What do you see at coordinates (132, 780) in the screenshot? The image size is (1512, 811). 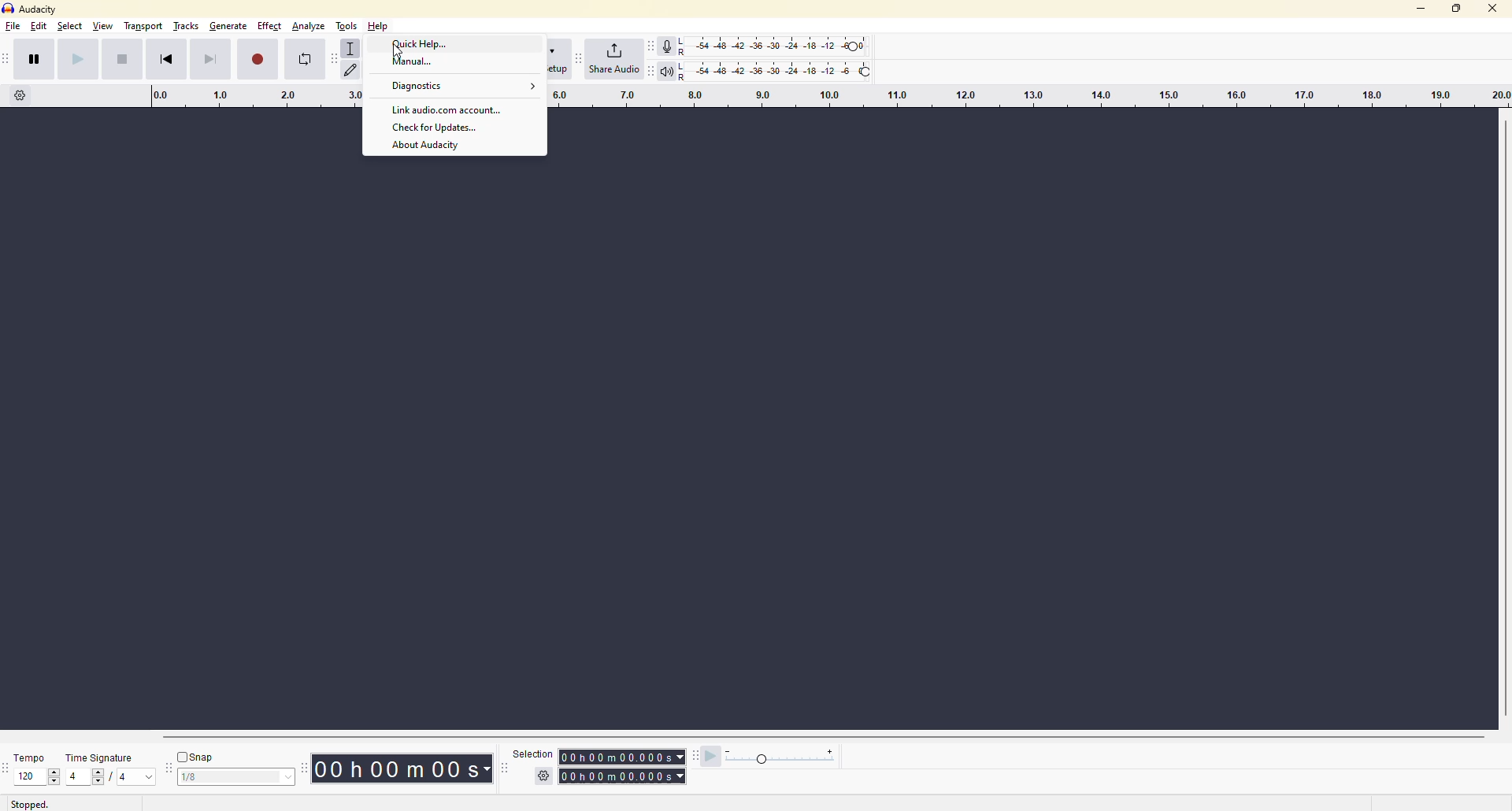 I see `value` at bounding box center [132, 780].